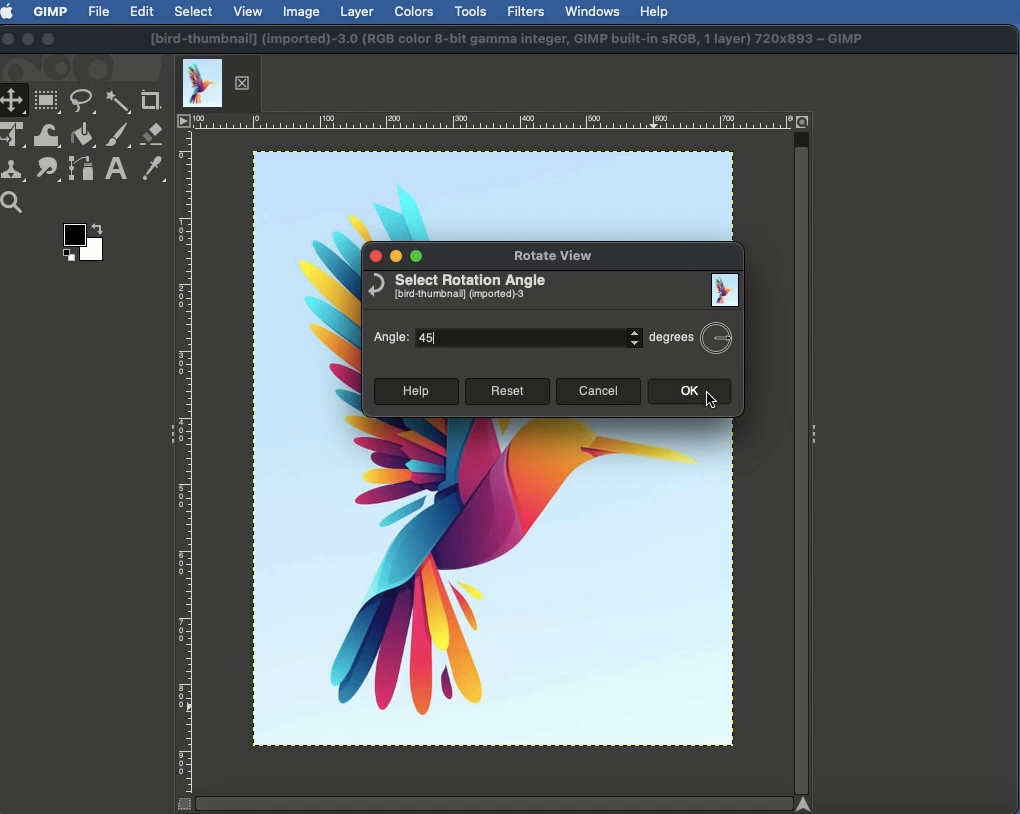  I want to click on Fuzzy selector, so click(118, 103).